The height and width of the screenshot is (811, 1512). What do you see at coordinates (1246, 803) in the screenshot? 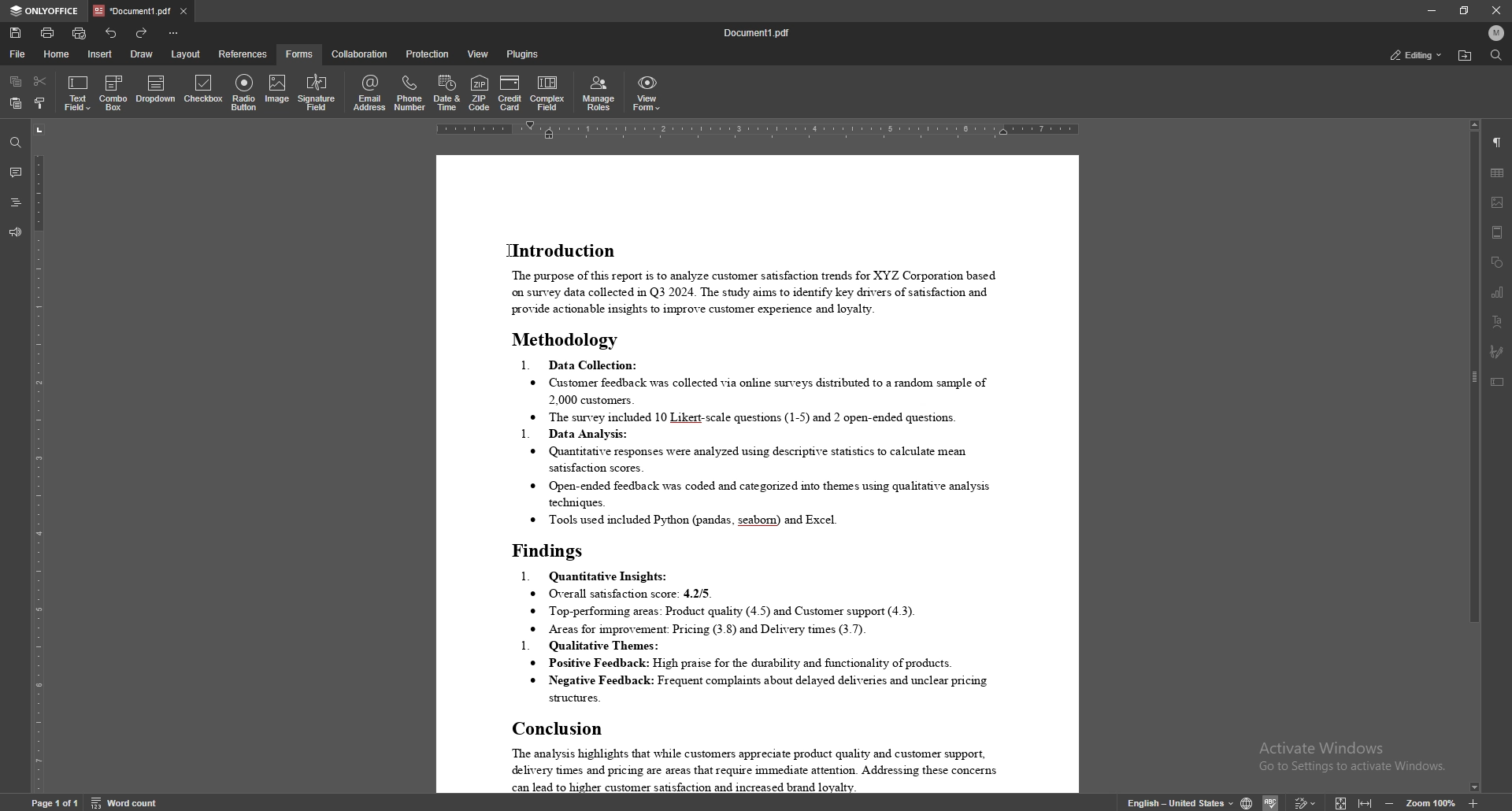
I see `change doc language` at bounding box center [1246, 803].